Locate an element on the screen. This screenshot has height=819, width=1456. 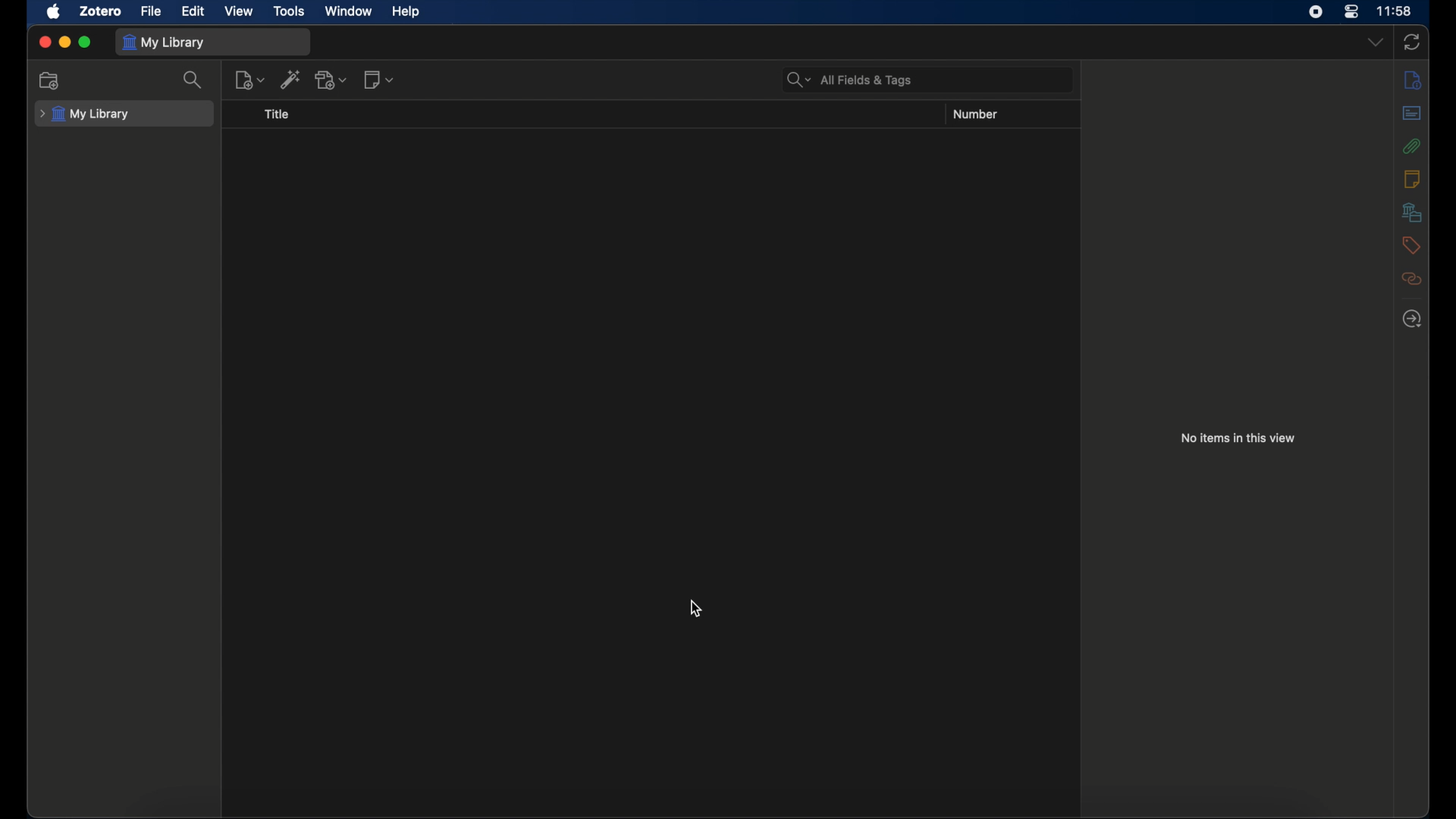
maximize is located at coordinates (85, 42).